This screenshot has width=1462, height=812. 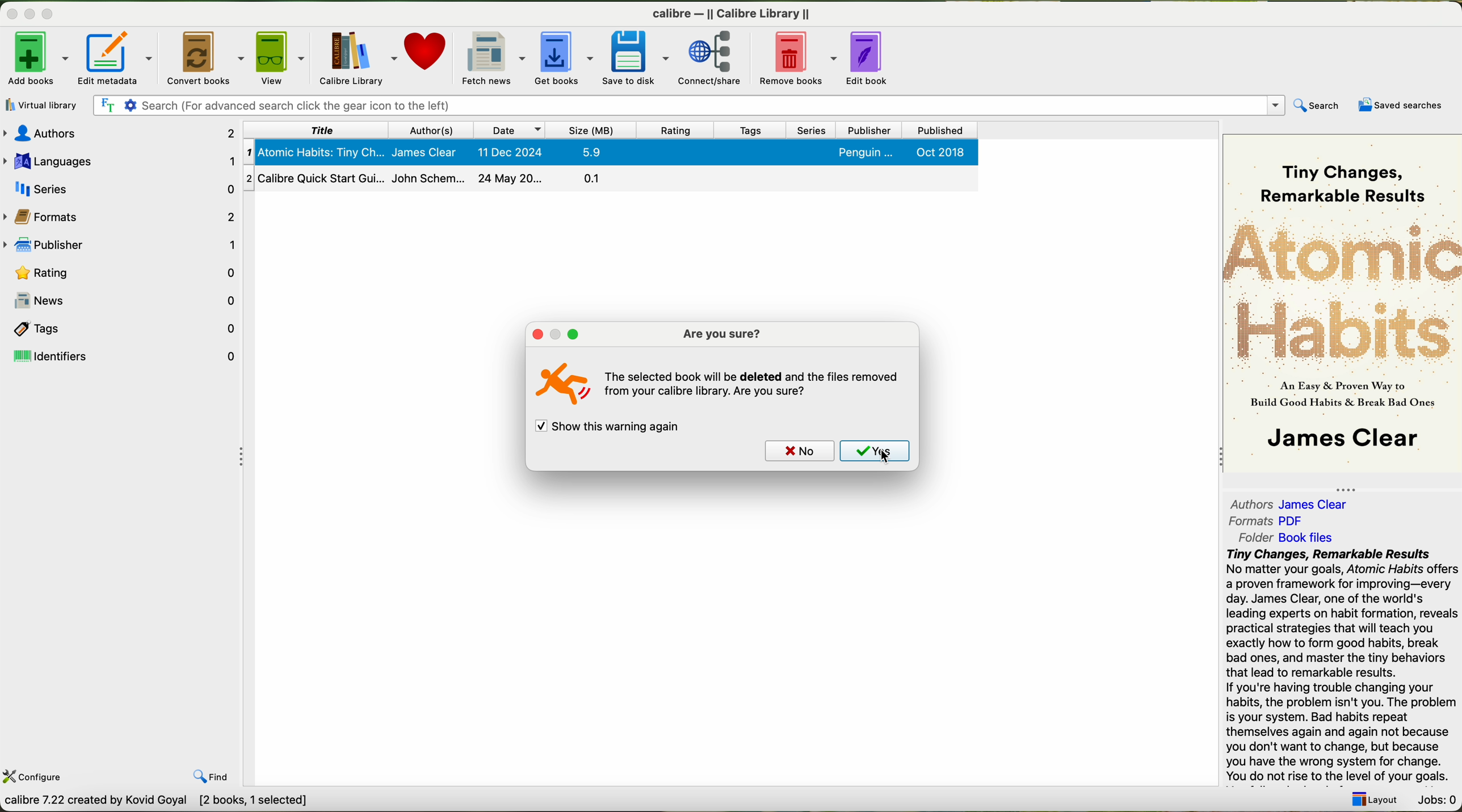 I want to click on languages, so click(x=119, y=161).